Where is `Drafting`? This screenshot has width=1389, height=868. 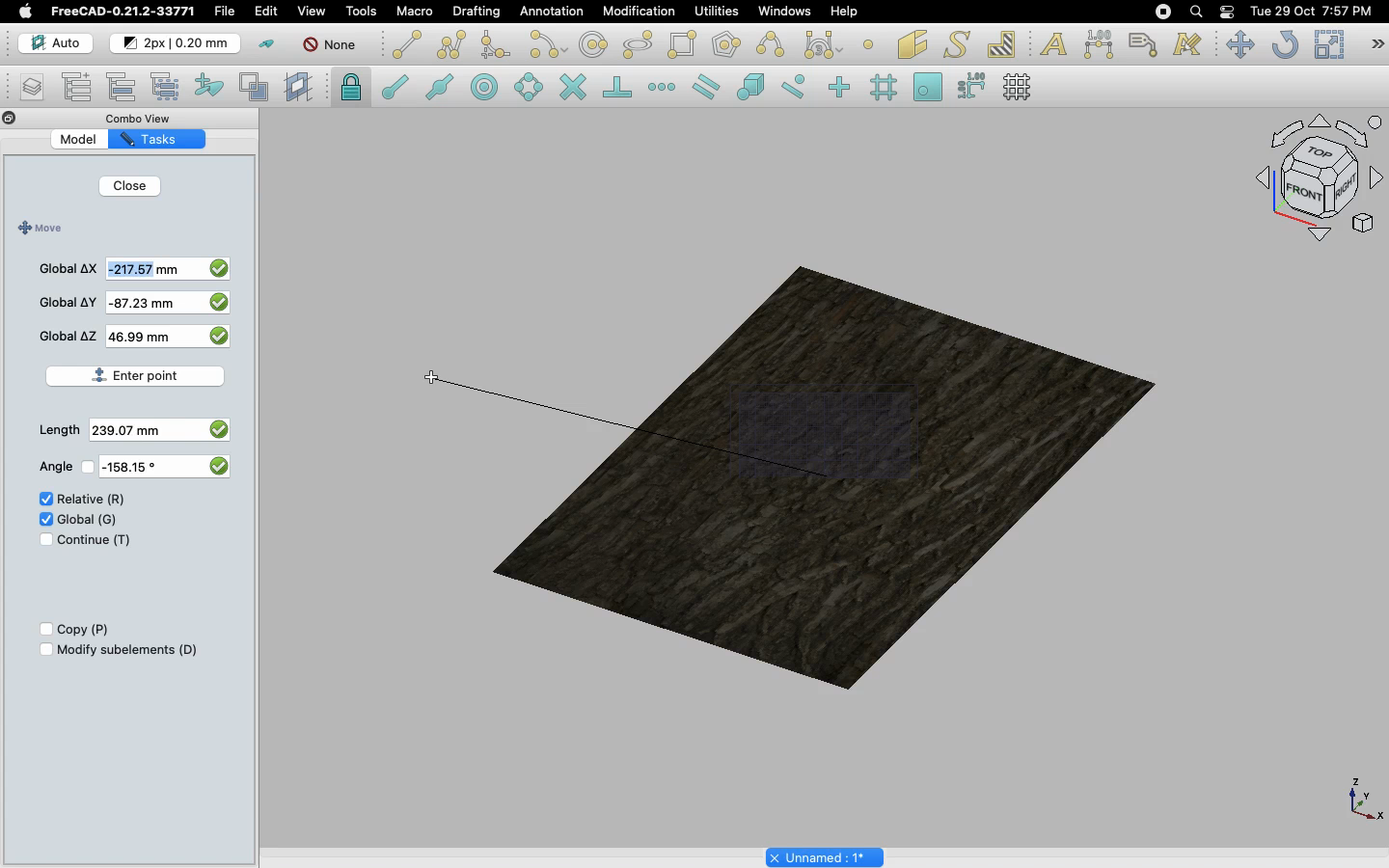
Drafting is located at coordinates (478, 11).